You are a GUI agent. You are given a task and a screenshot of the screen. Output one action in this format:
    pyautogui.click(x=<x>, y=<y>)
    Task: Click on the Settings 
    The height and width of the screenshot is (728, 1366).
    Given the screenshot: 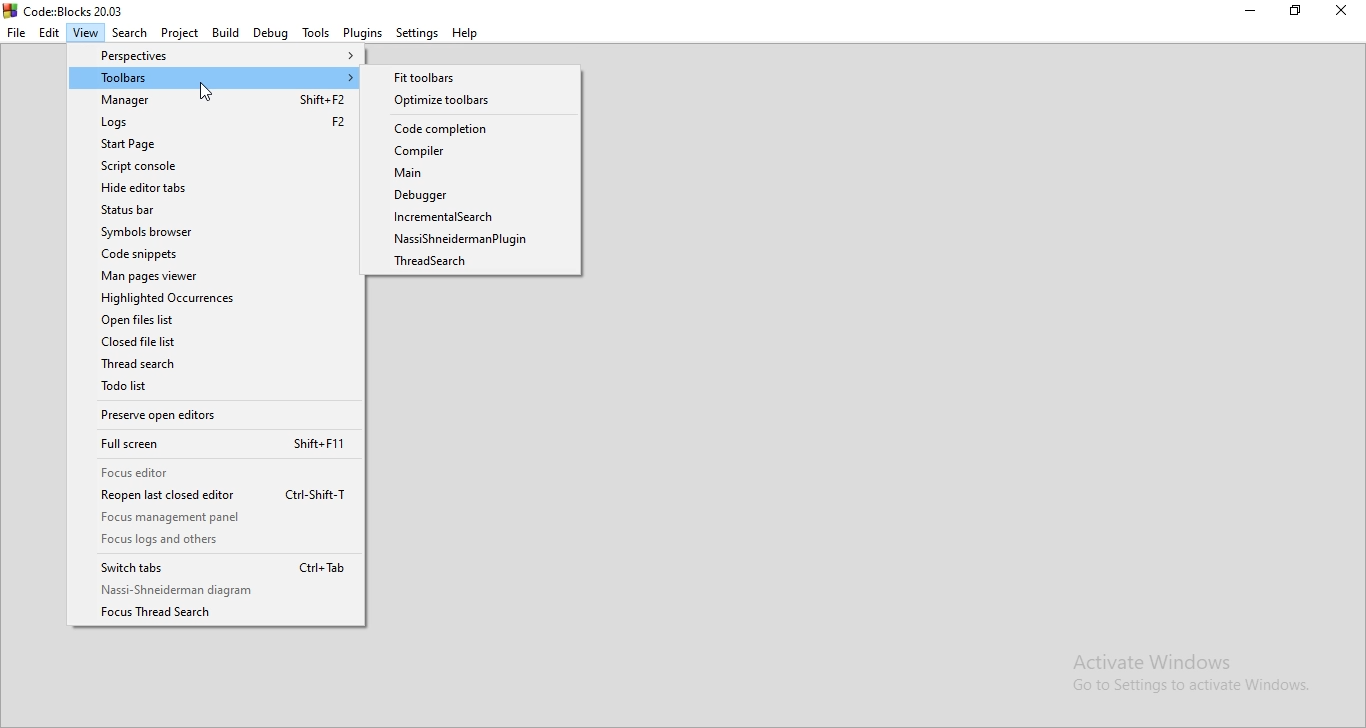 What is the action you would take?
    pyautogui.click(x=418, y=33)
    